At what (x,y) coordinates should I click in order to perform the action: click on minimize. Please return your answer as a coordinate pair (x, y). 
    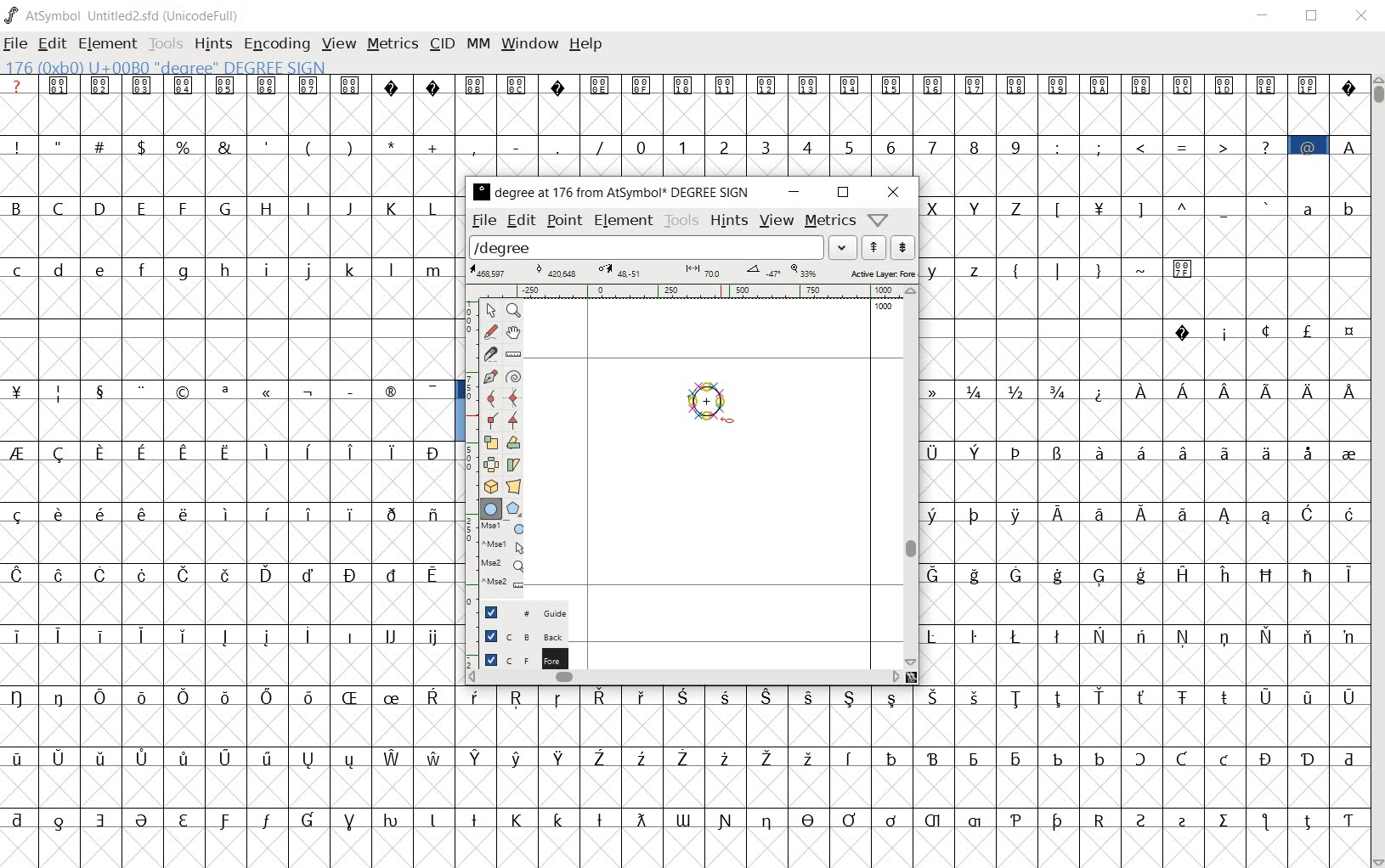
    Looking at the image, I should click on (792, 192).